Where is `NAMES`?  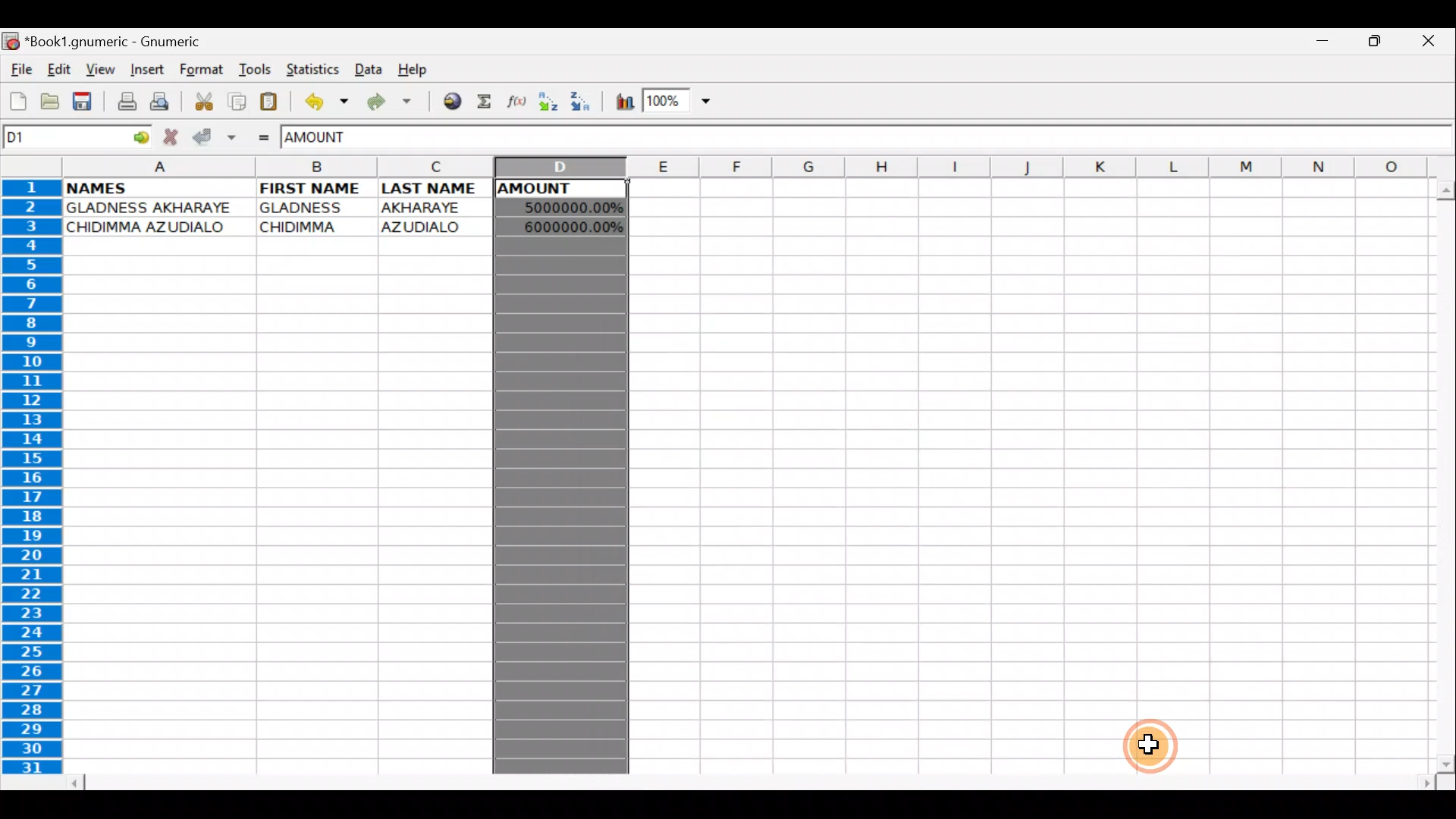 NAMES is located at coordinates (120, 188).